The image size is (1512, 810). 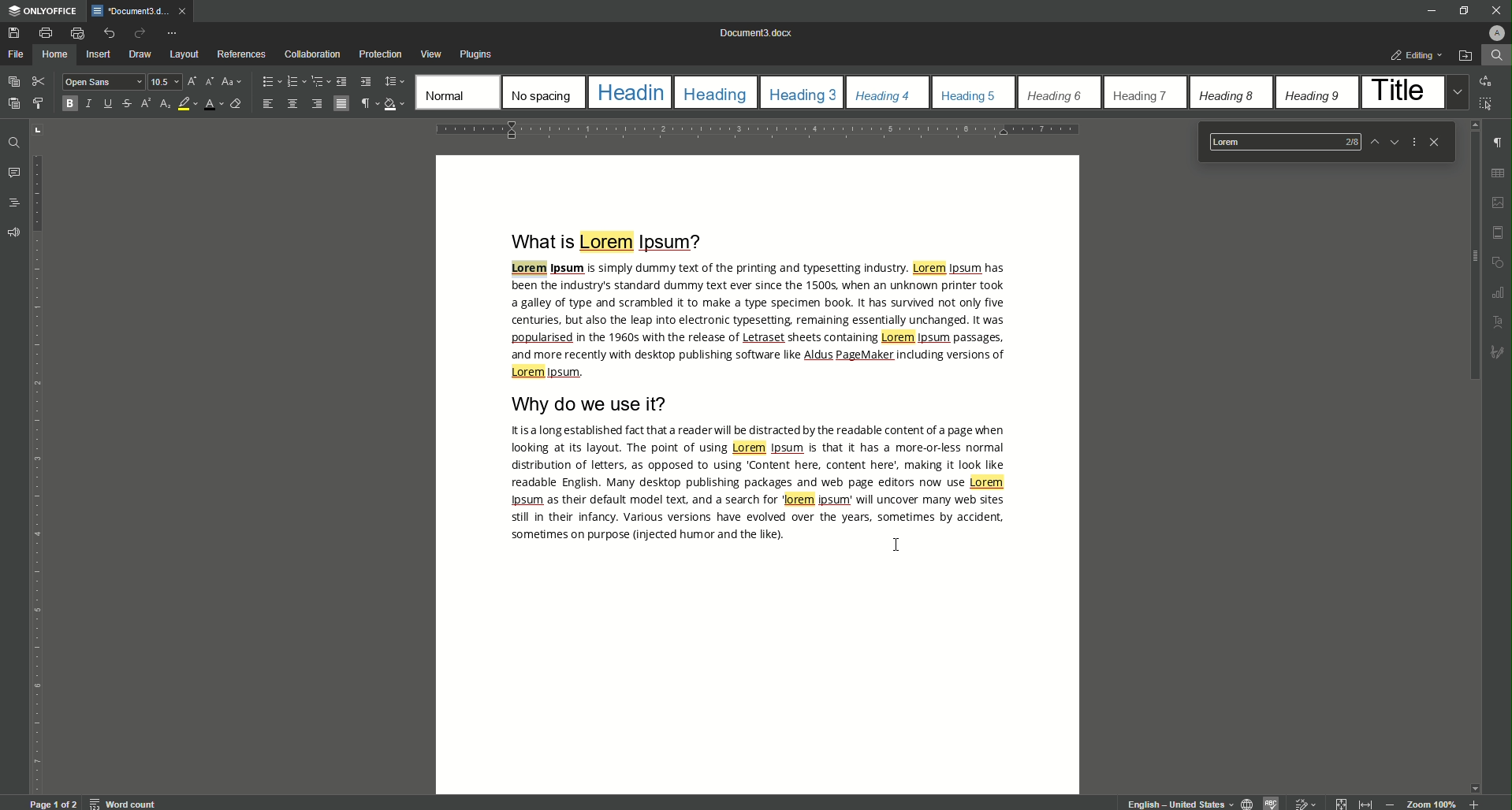 I want to click on Heading 3, so click(x=806, y=93).